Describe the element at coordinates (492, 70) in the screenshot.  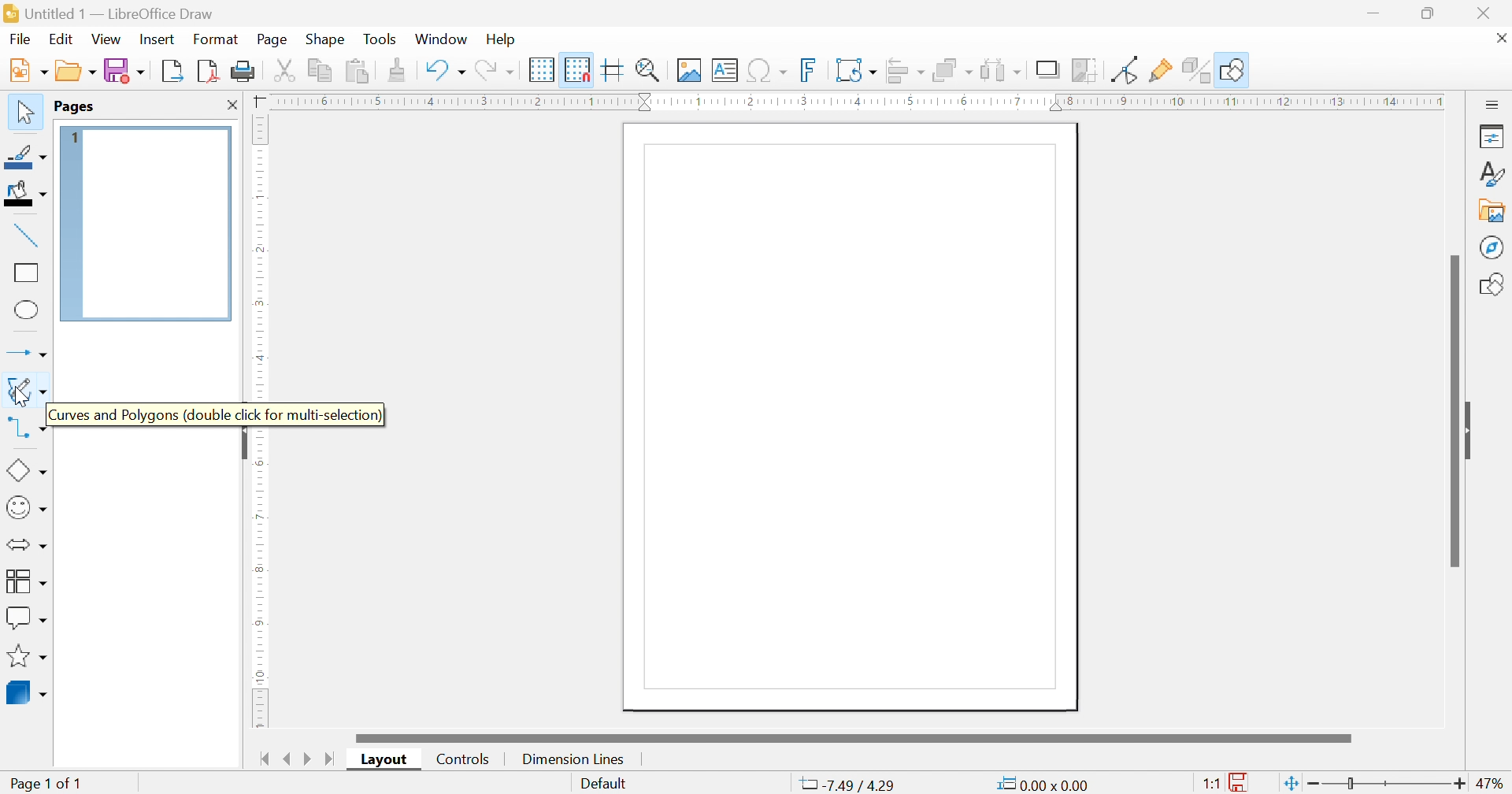
I see `redo` at that location.